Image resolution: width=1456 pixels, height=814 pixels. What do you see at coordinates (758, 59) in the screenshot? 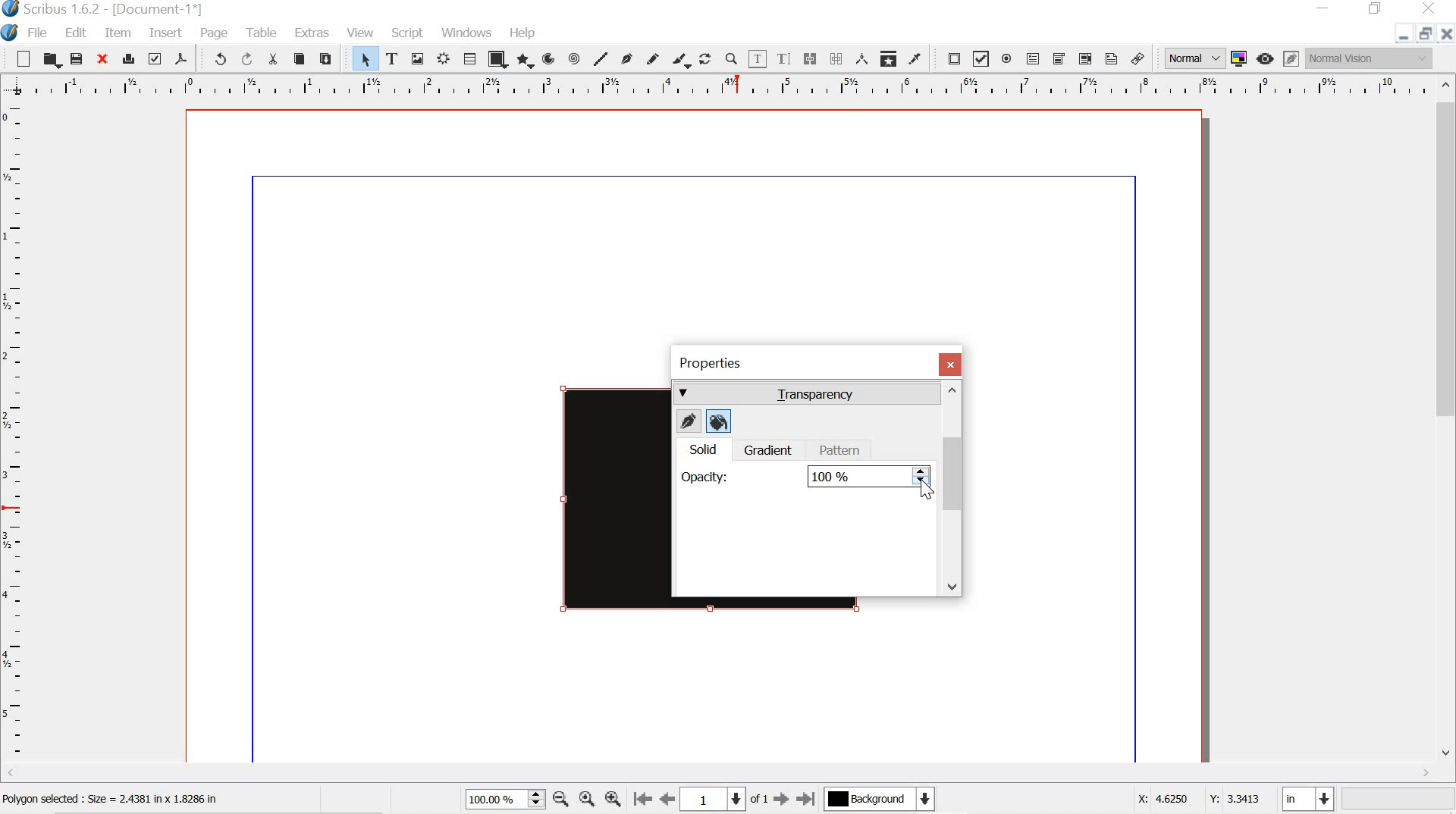
I see `edit contents of frame` at bounding box center [758, 59].